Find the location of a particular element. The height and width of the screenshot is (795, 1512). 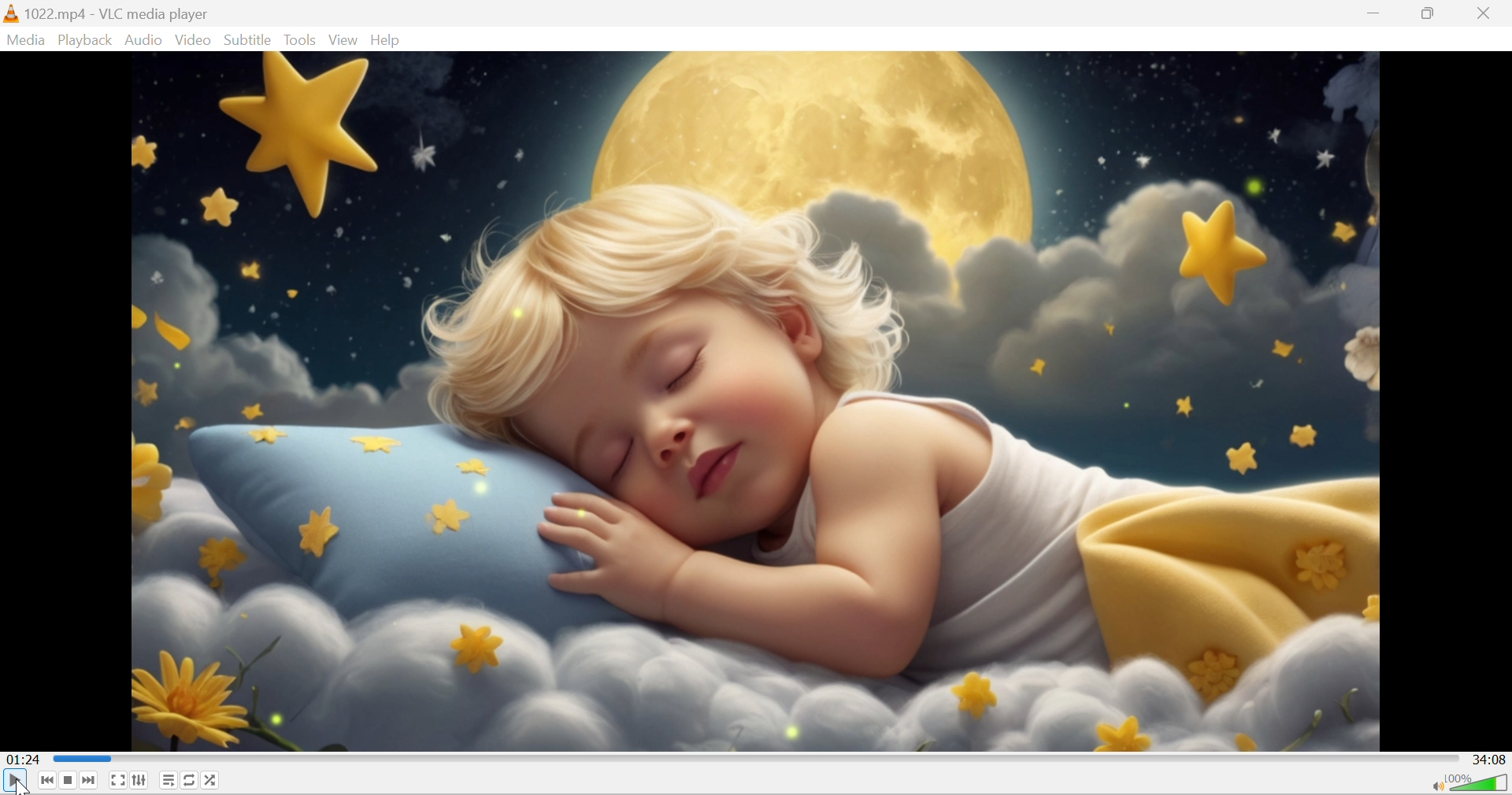

Previous media in the playlist, skip backward when held. is located at coordinates (50, 782).